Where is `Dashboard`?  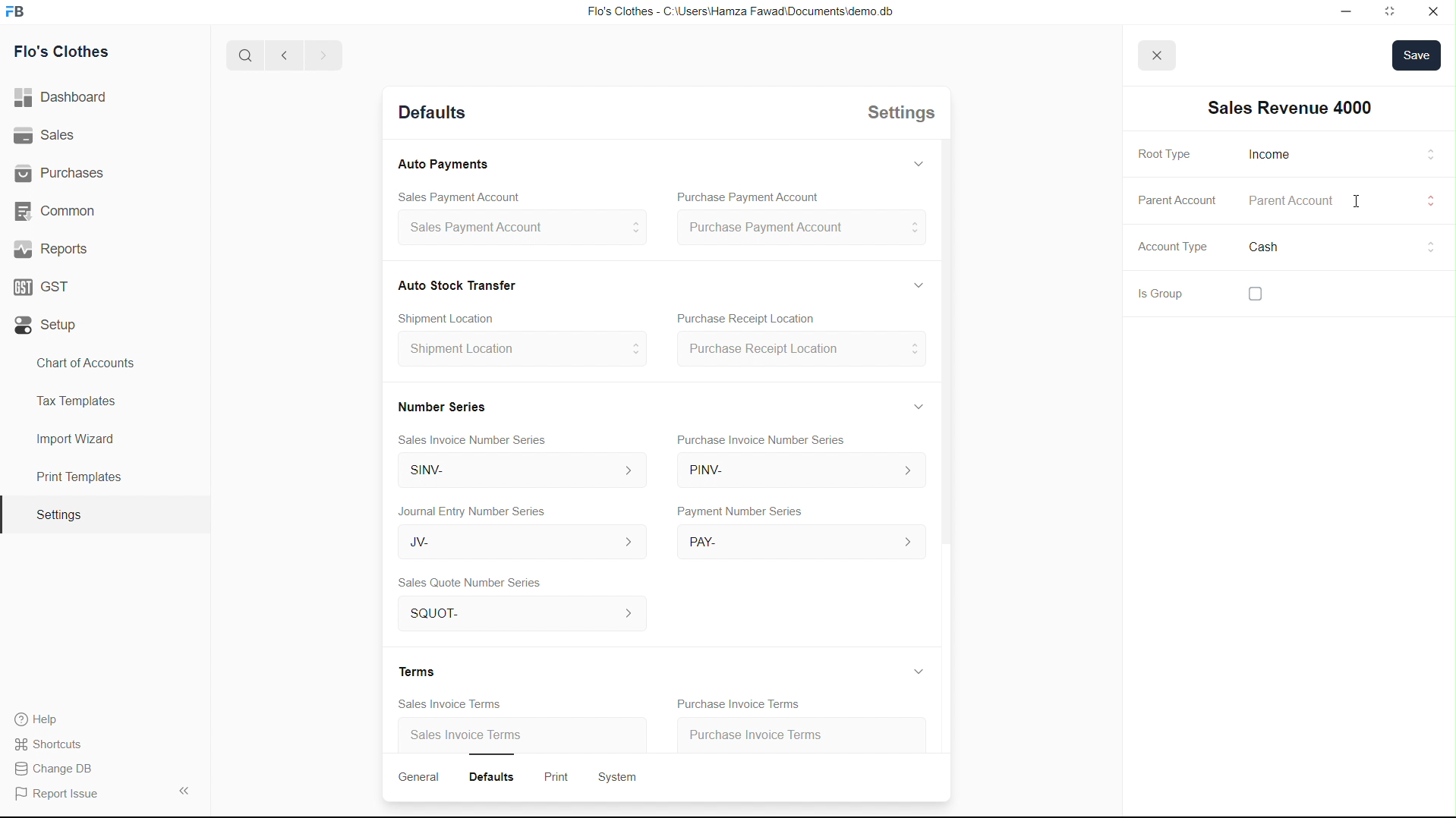
Dashboard is located at coordinates (66, 98).